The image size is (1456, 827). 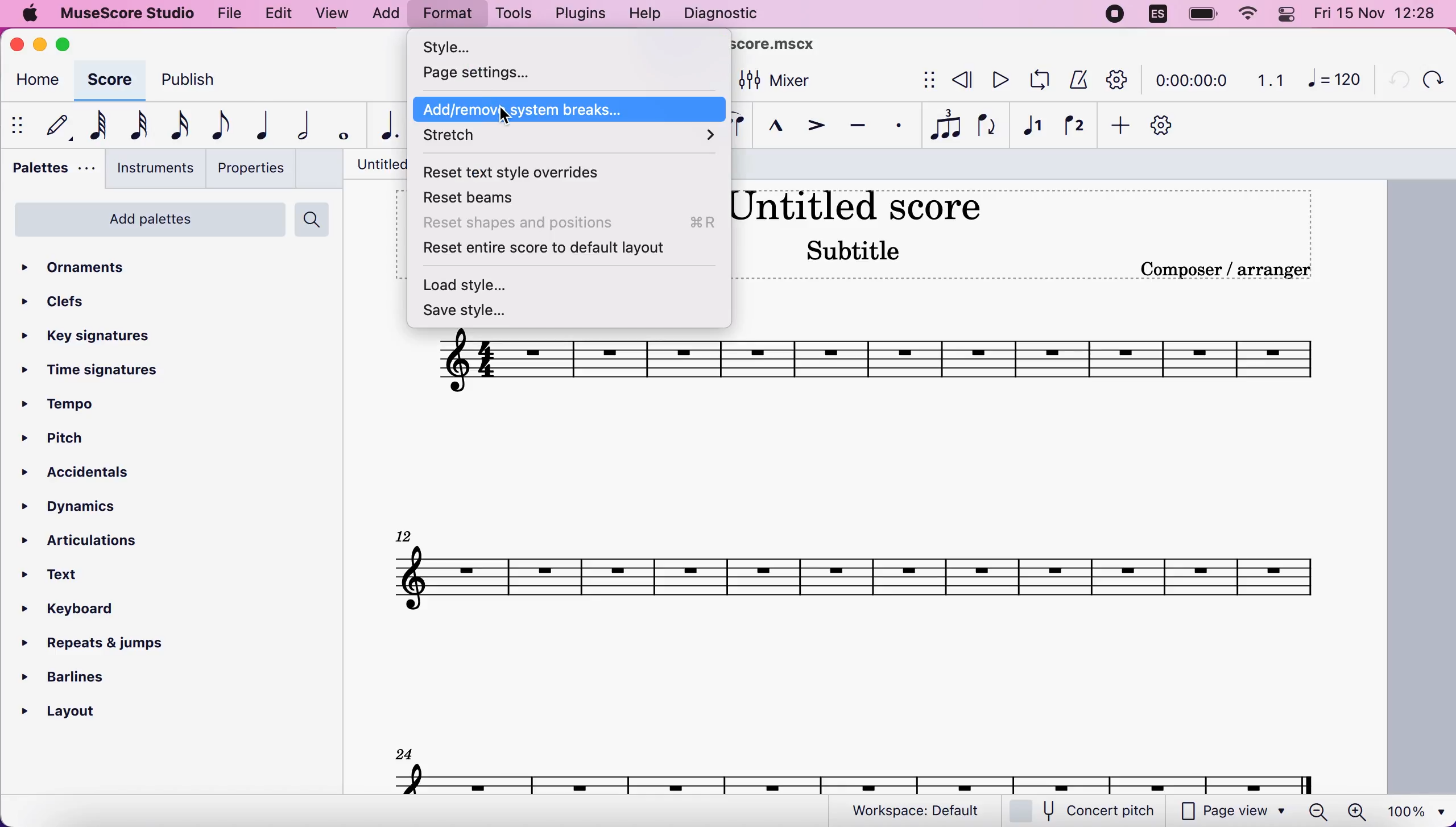 What do you see at coordinates (105, 474) in the screenshot?
I see `accidentals` at bounding box center [105, 474].